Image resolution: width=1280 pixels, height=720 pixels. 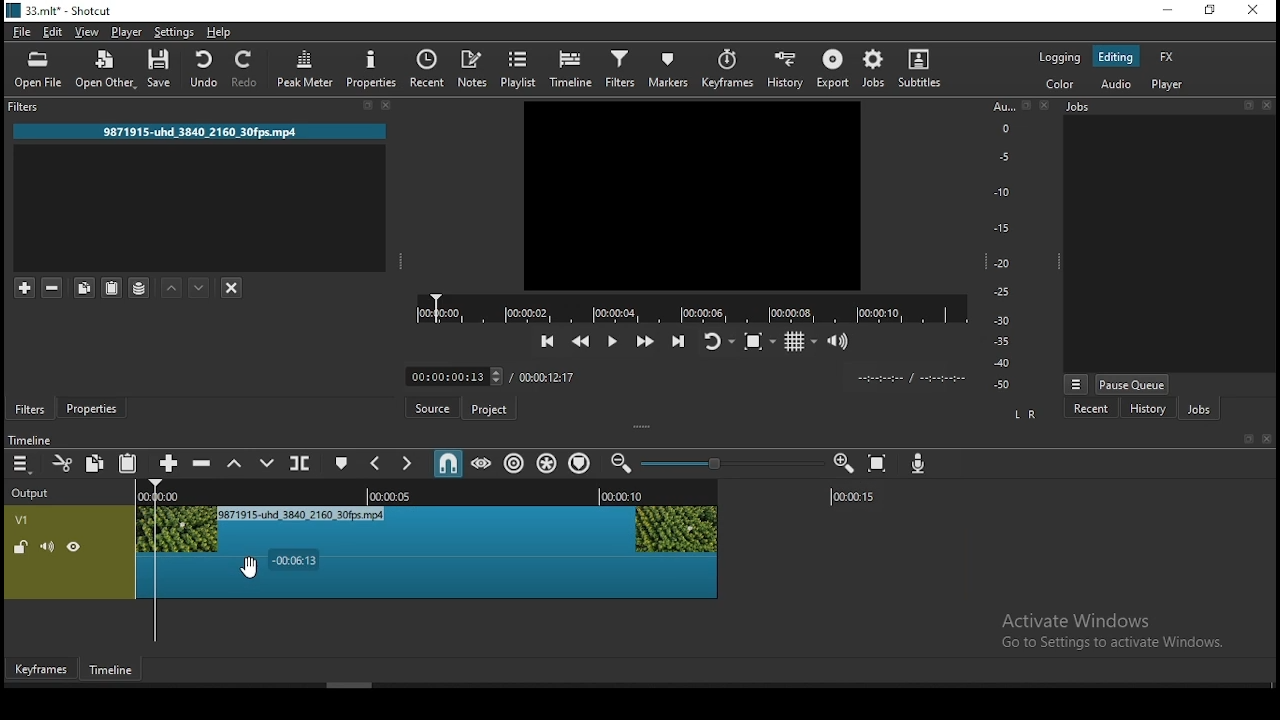 What do you see at coordinates (1267, 105) in the screenshot?
I see `close` at bounding box center [1267, 105].